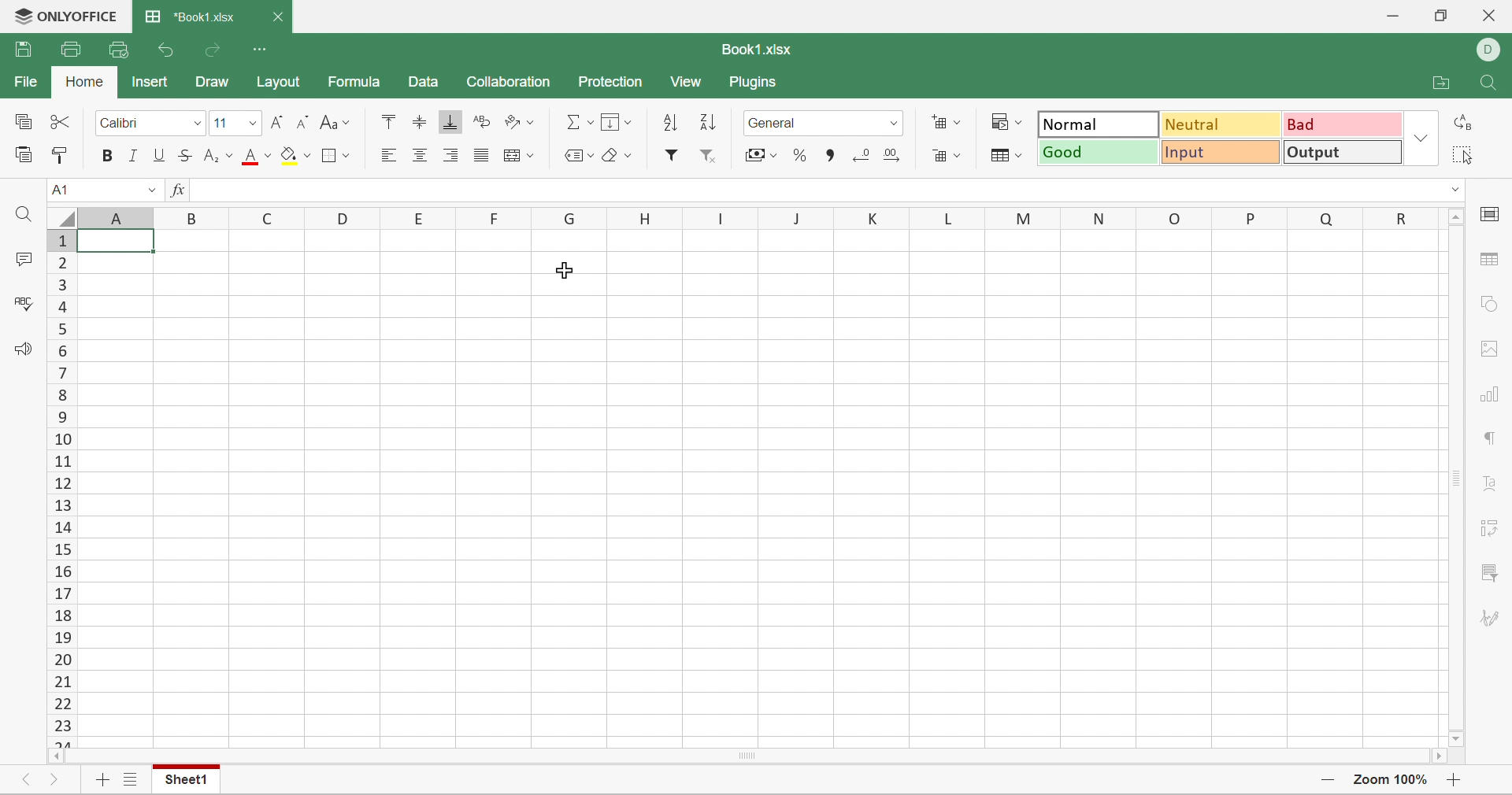 This screenshot has height=795, width=1512. Describe the element at coordinates (721, 216) in the screenshot. I see `I` at that location.